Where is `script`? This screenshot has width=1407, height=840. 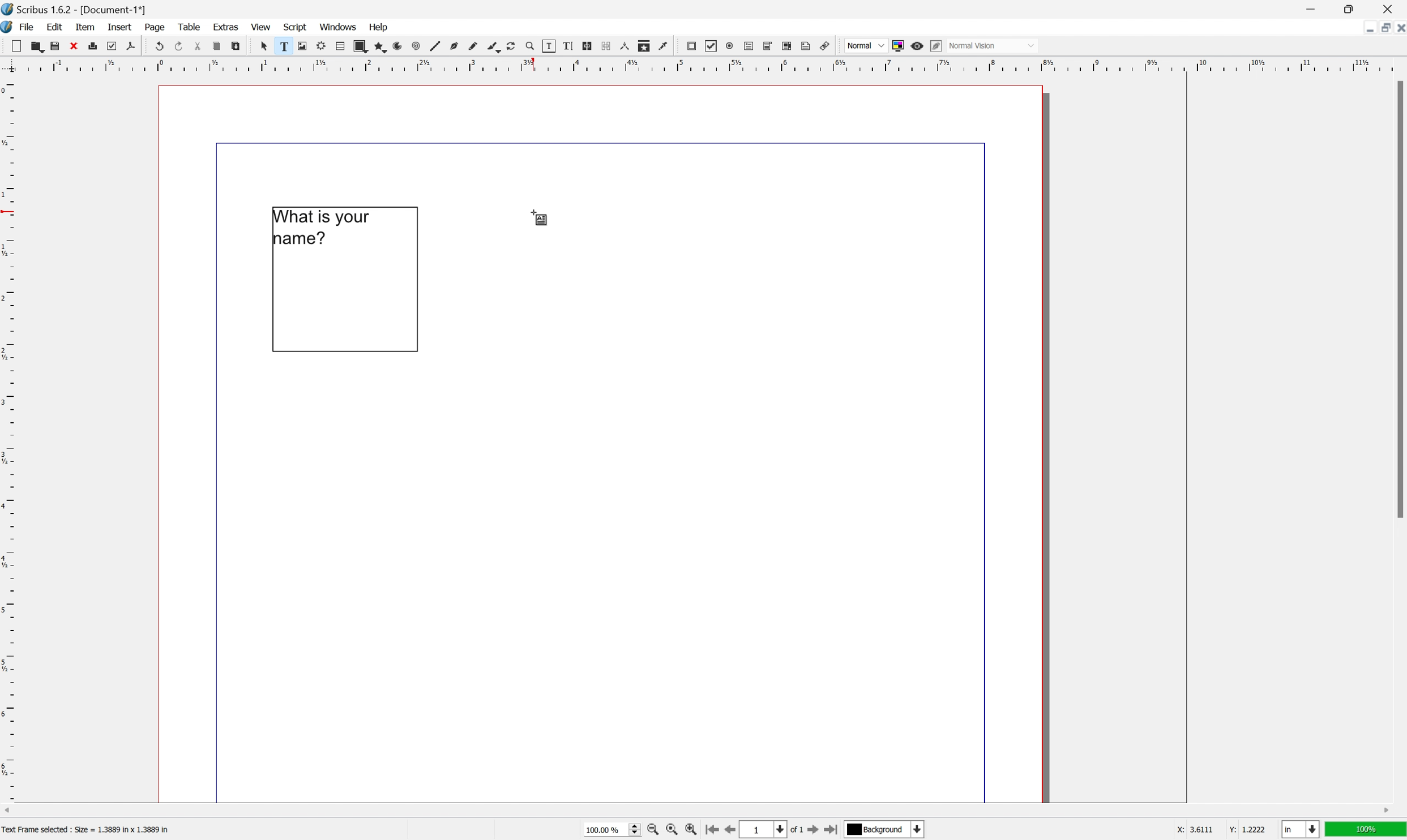 script is located at coordinates (296, 26).